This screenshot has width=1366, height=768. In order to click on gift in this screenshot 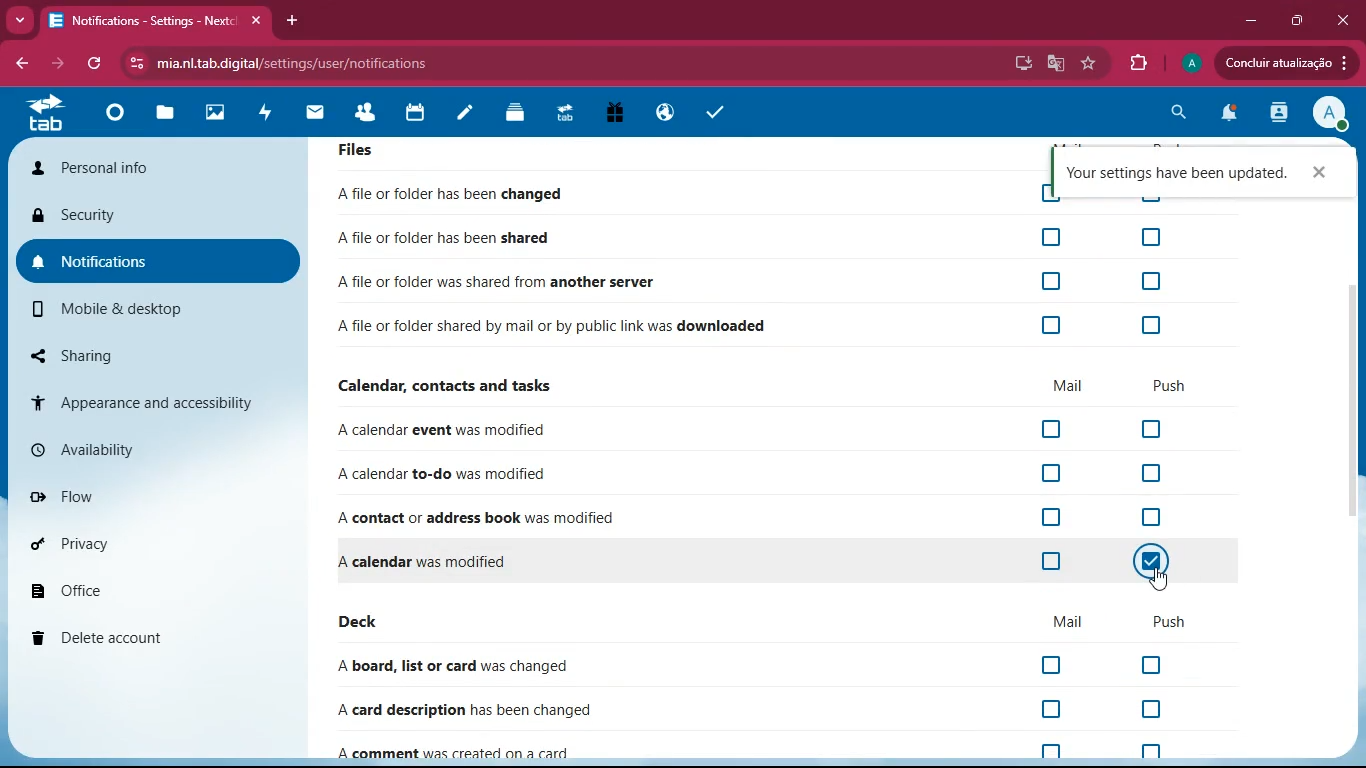, I will do `click(621, 114)`.